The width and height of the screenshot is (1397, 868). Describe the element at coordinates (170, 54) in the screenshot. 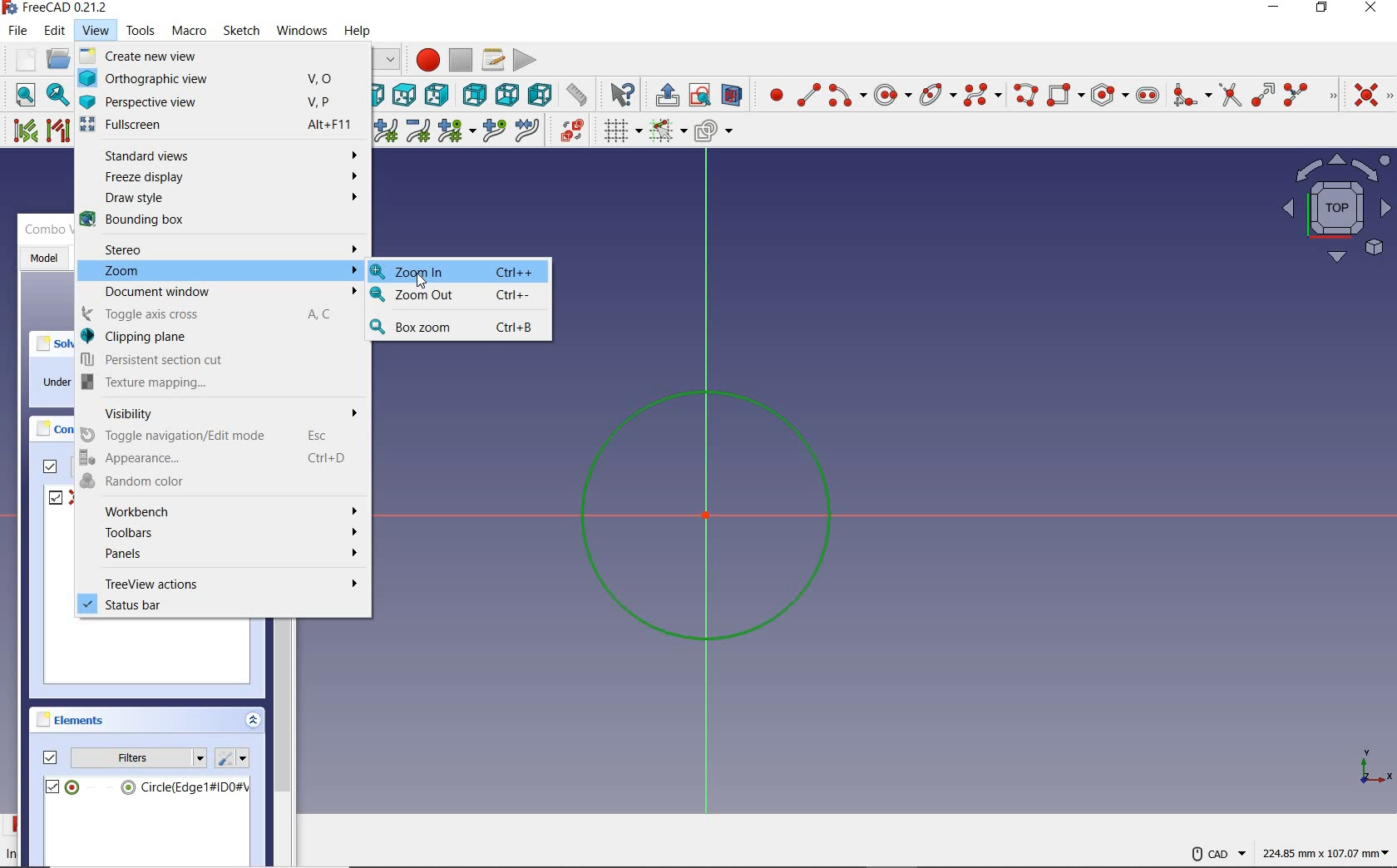

I see `create new view` at that location.